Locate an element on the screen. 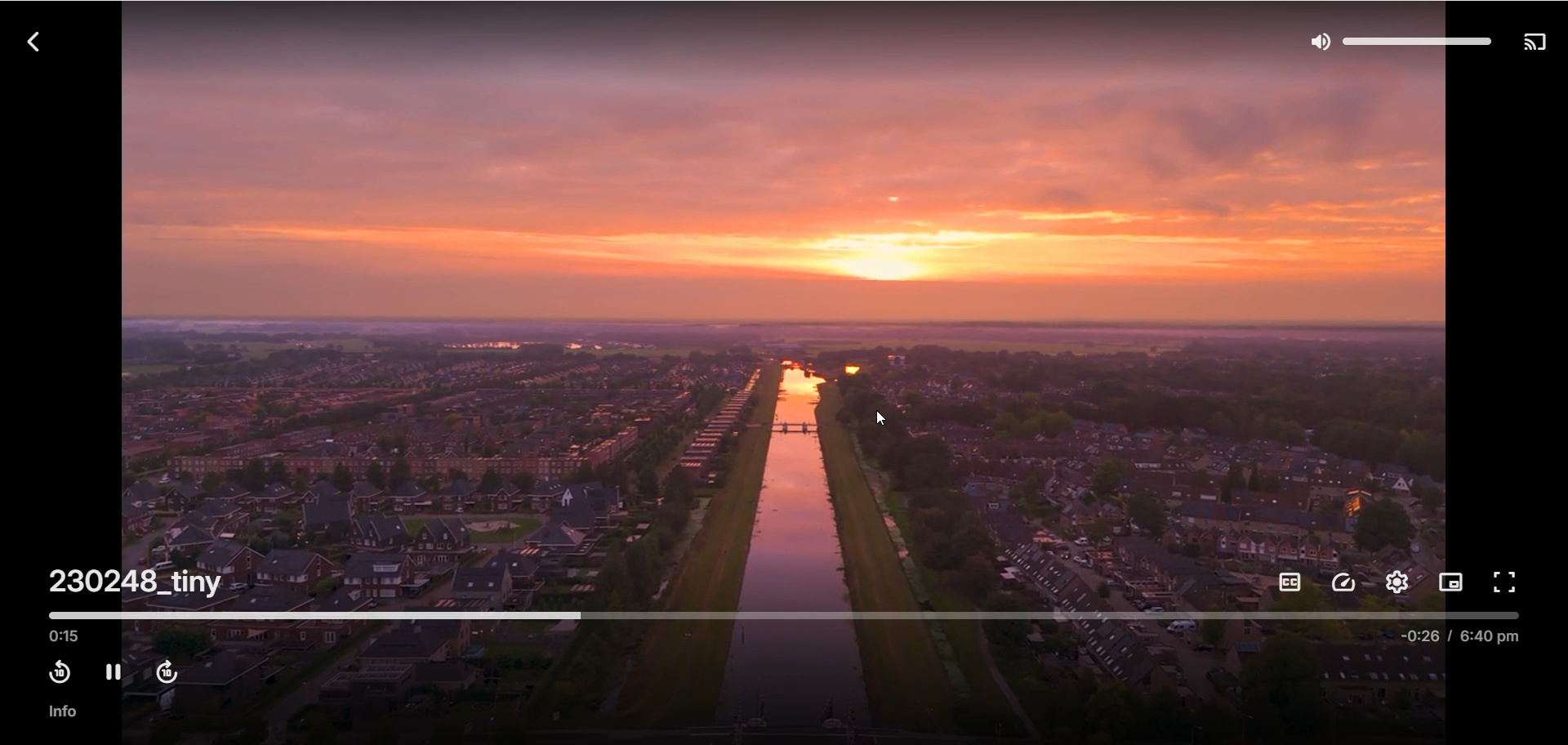  cursor is located at coordinates (880, 419).